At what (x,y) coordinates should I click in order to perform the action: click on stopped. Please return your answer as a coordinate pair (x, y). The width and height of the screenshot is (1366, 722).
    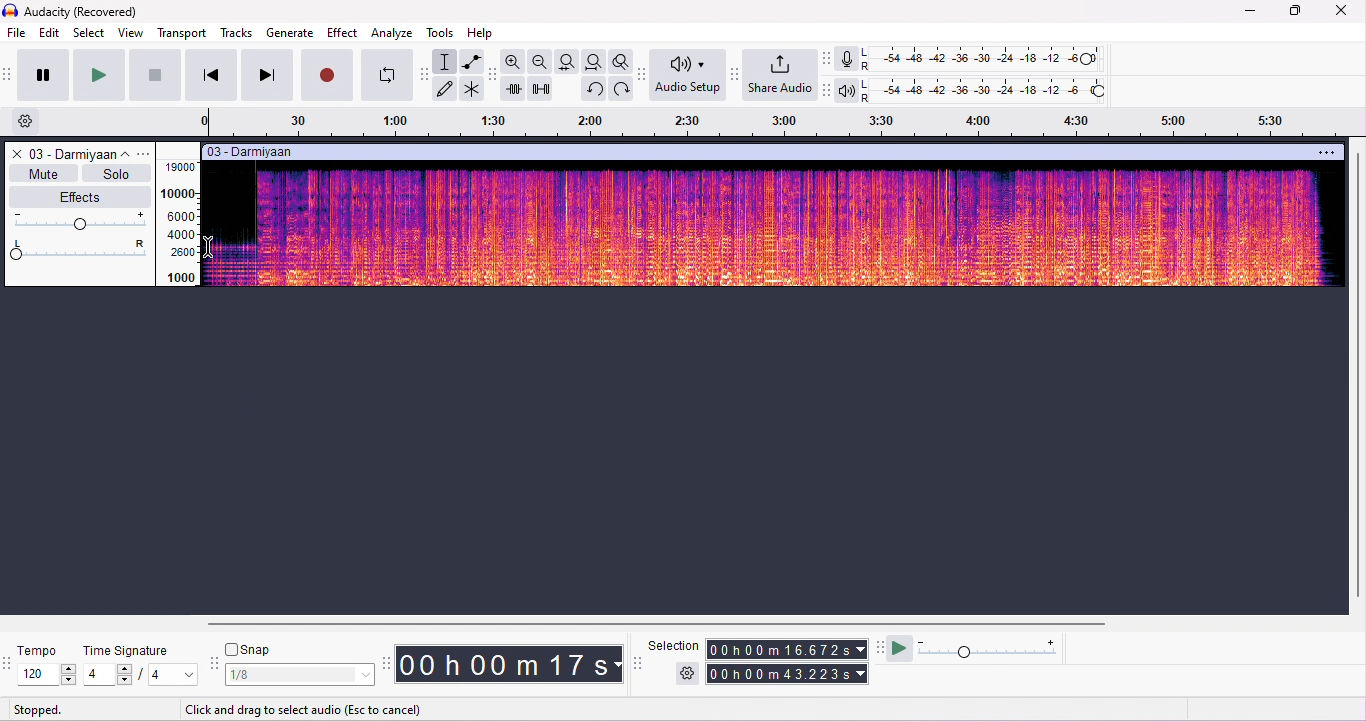
    Looking at the image, I should click on (38, 709).